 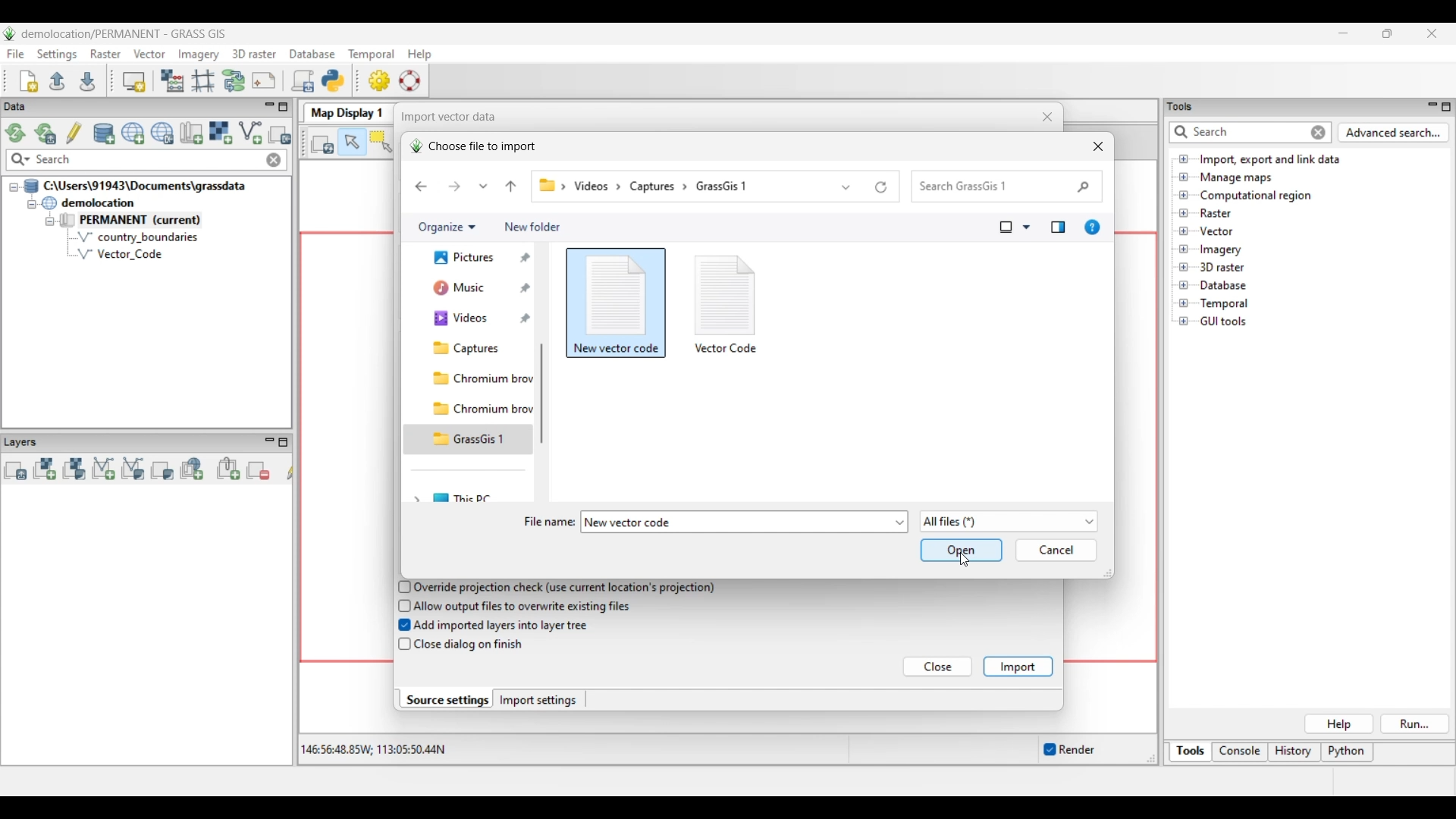 What do you see at coordinates (1237, 132) in the screenshot?
I see `Type in or enter details for quick search` at bounding box center [1237, 132].